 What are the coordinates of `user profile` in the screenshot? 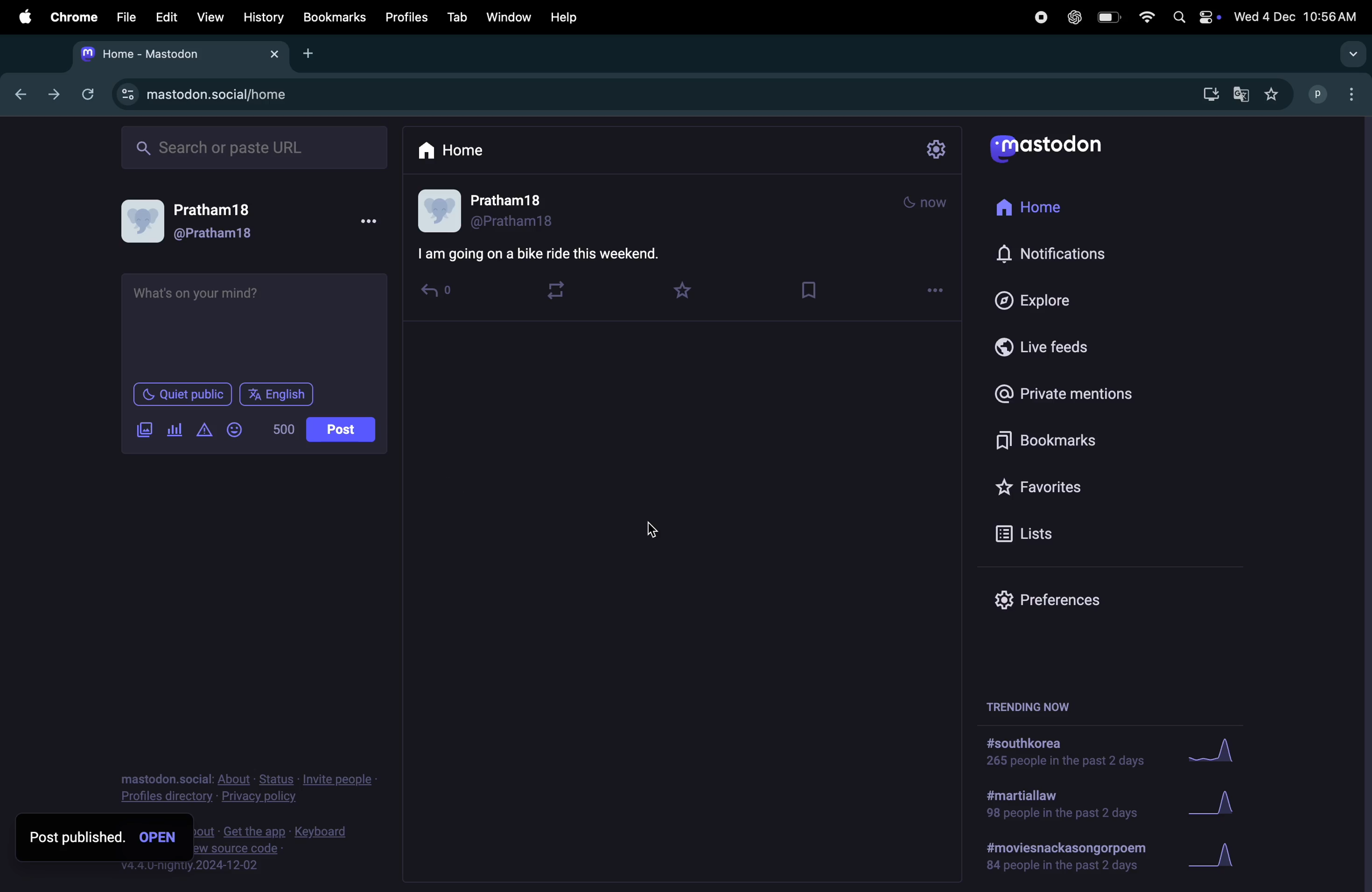 It's located at (495, 210).